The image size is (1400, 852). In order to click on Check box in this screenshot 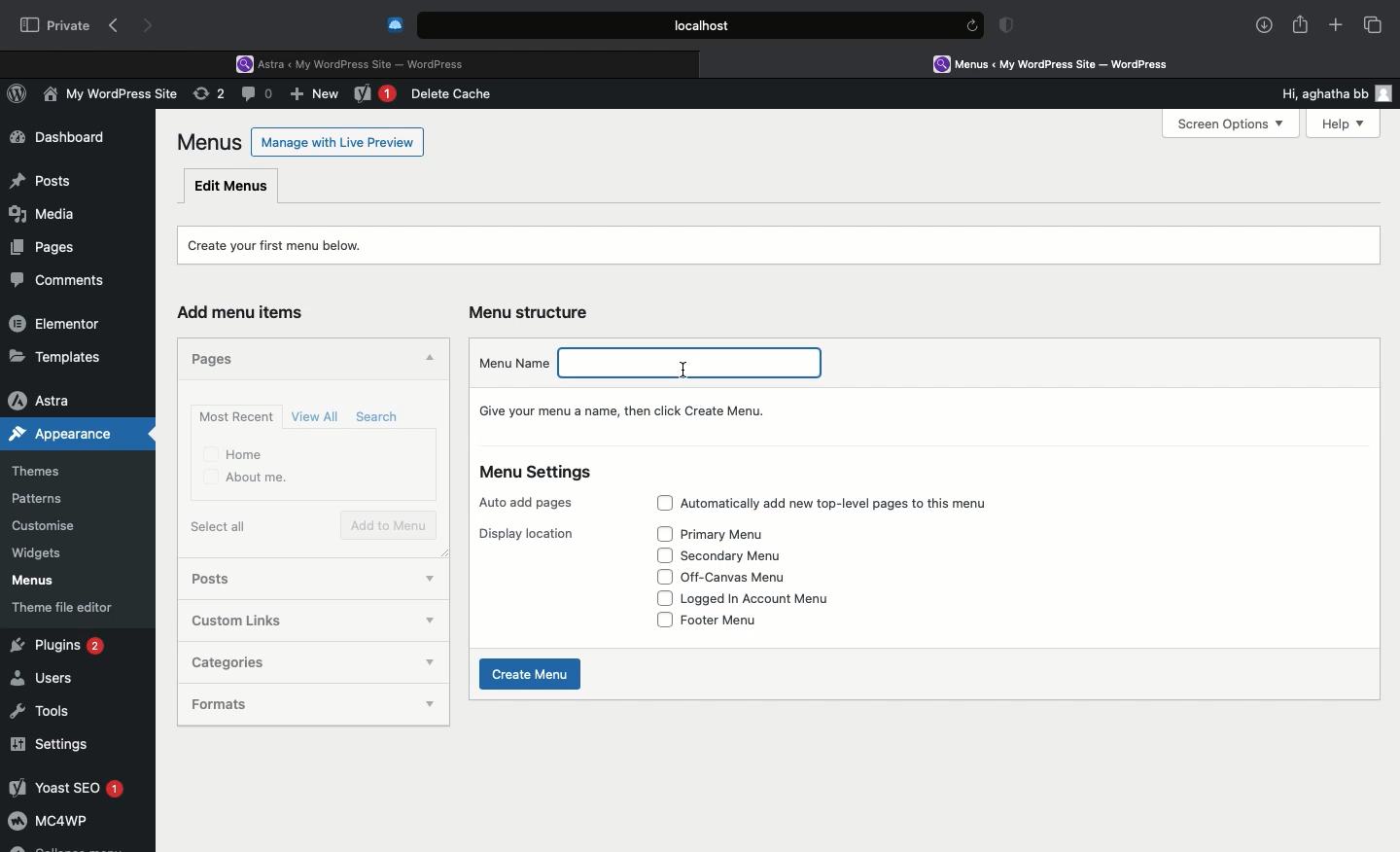, I will do `click(663, 577)`.